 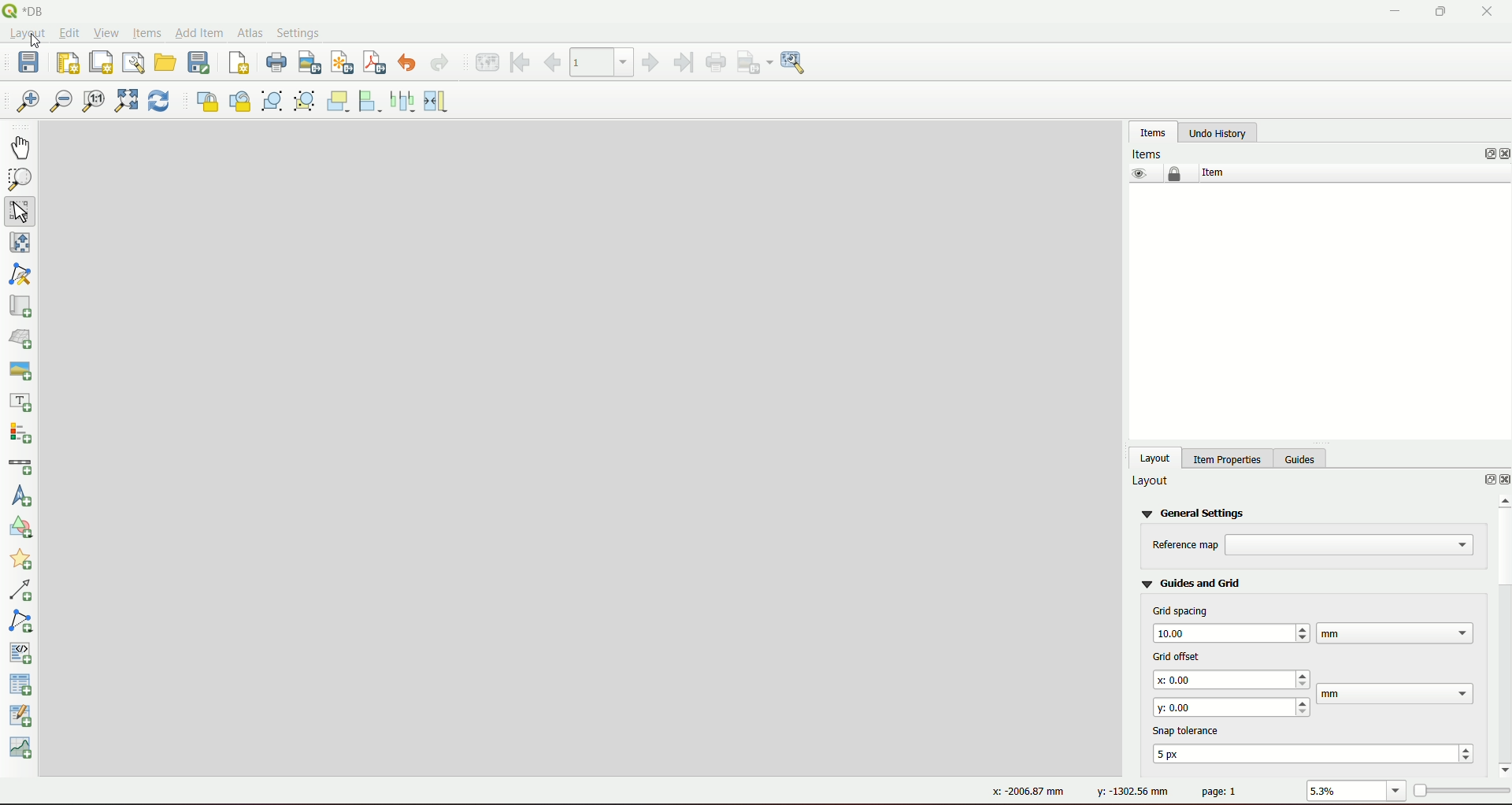 What do you see at coordinates (28, 102) in the screenshot?
I see `zoom in` at bounding box center [28, 102].